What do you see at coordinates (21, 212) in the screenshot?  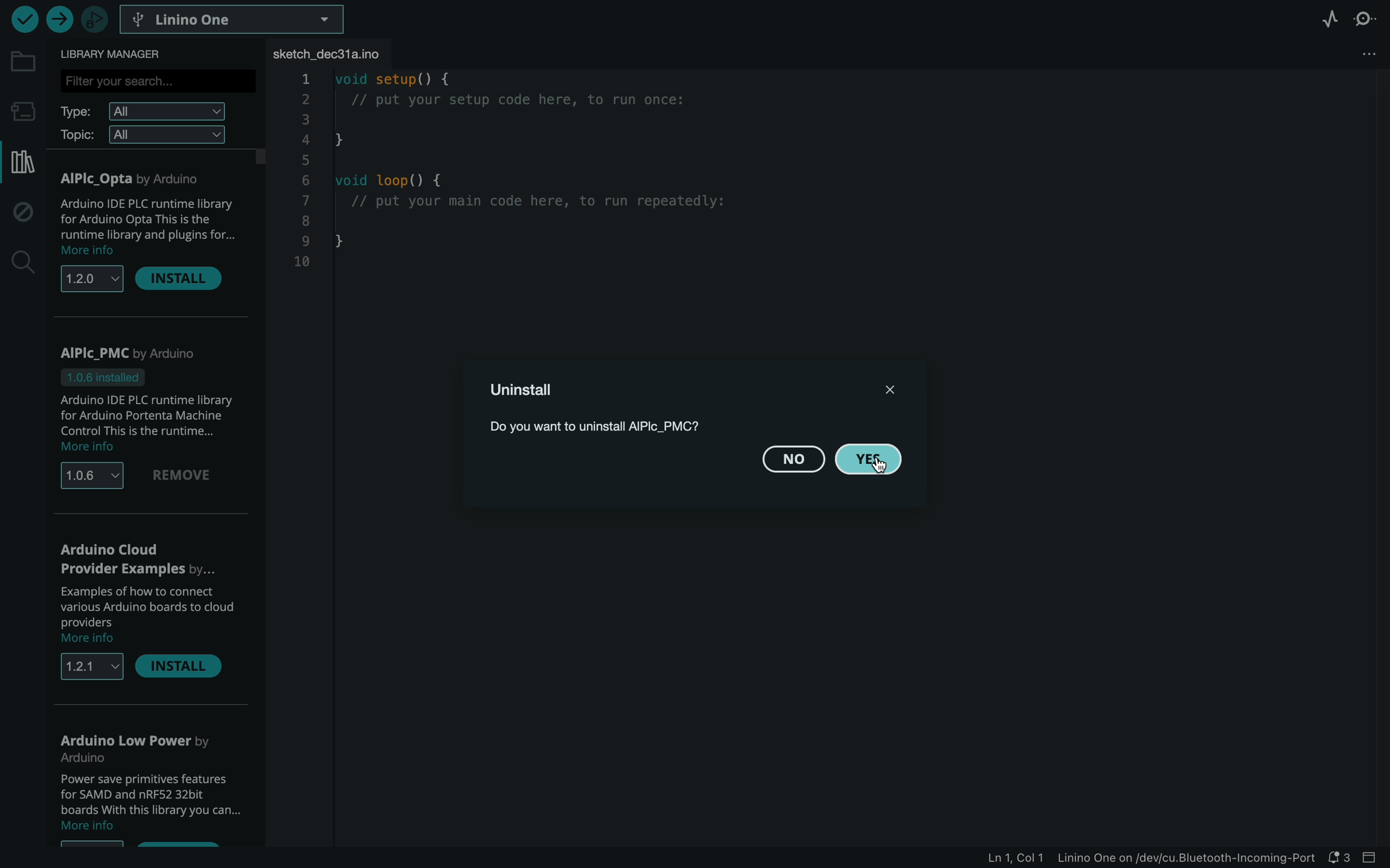 I see `debug` at bounding box center [21, 212].